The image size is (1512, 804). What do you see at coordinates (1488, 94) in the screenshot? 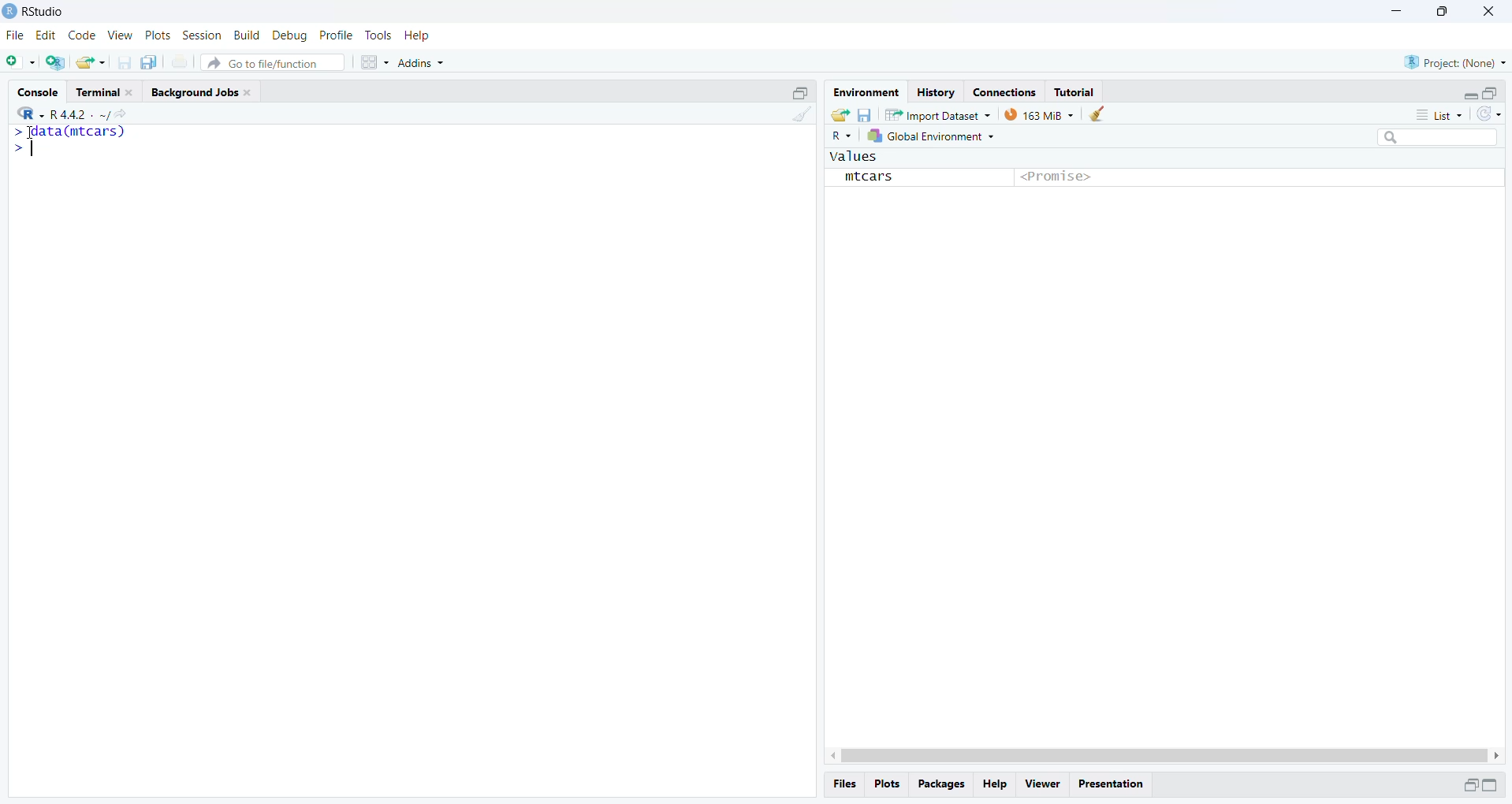
I see `open in separate window` at bounding box center [1488, 94].